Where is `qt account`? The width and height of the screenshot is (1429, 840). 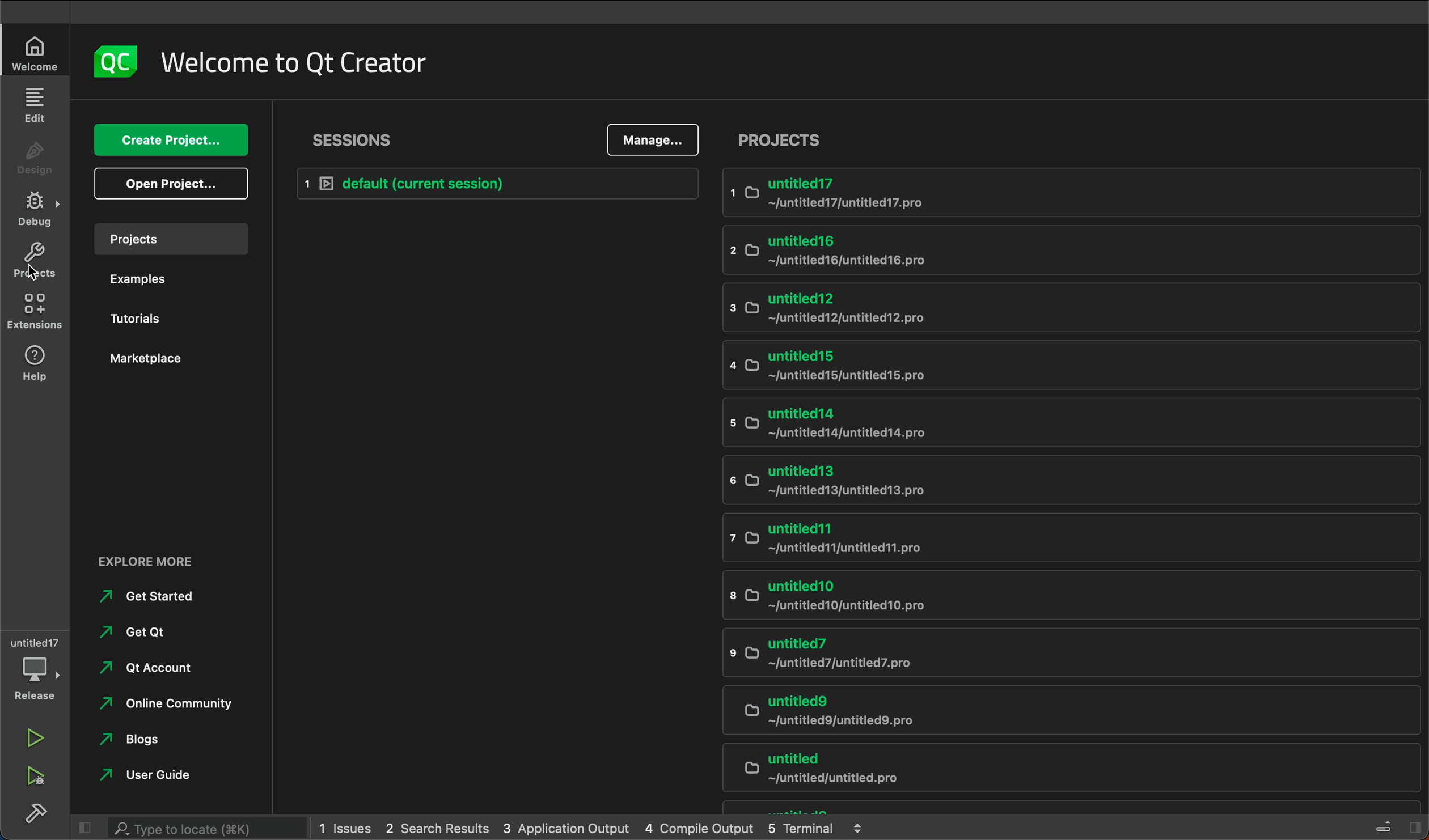 qt account is located at coordinates (153, 667).